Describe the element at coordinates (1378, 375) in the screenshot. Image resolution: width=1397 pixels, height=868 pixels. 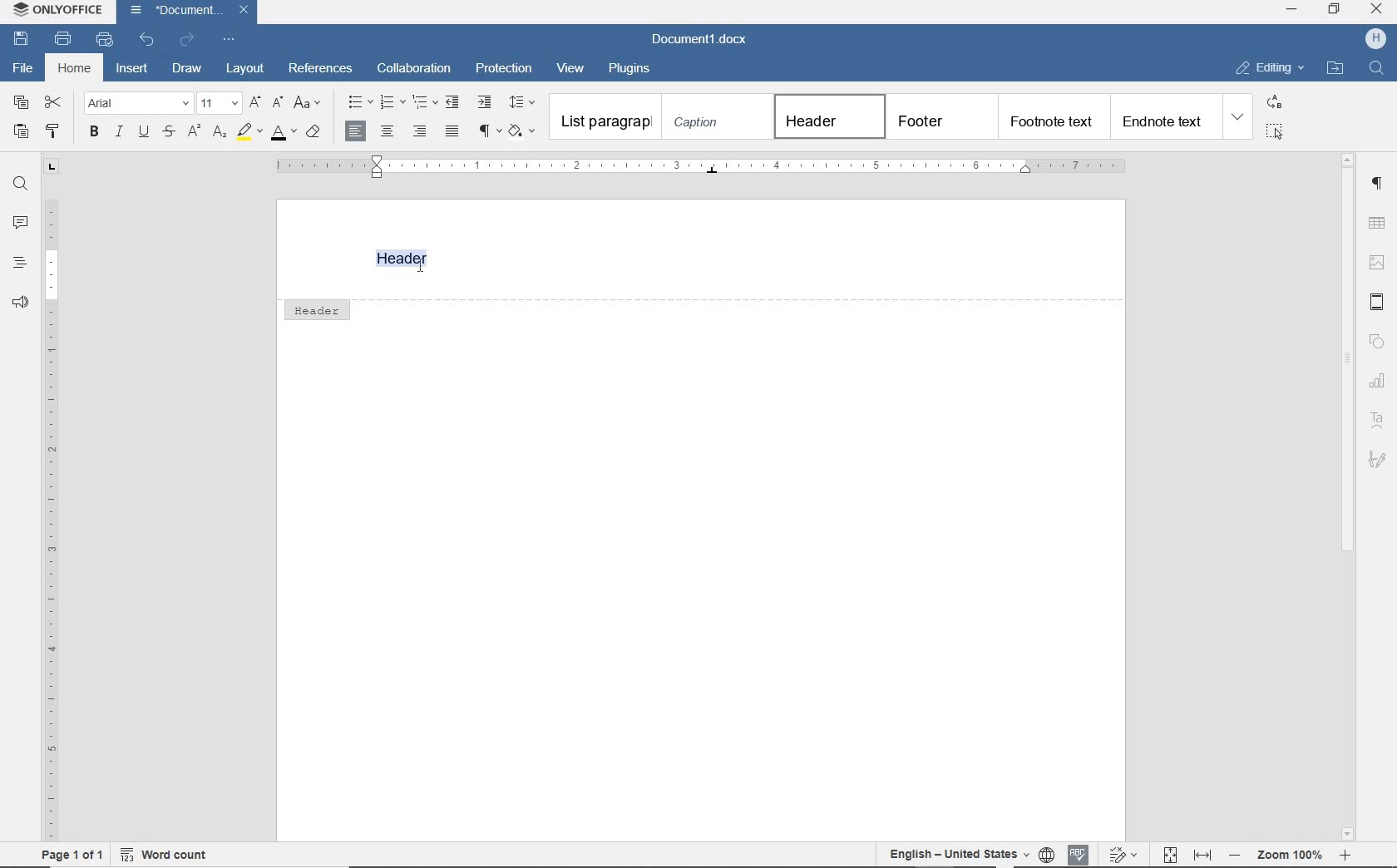
I see `chart` at that location.